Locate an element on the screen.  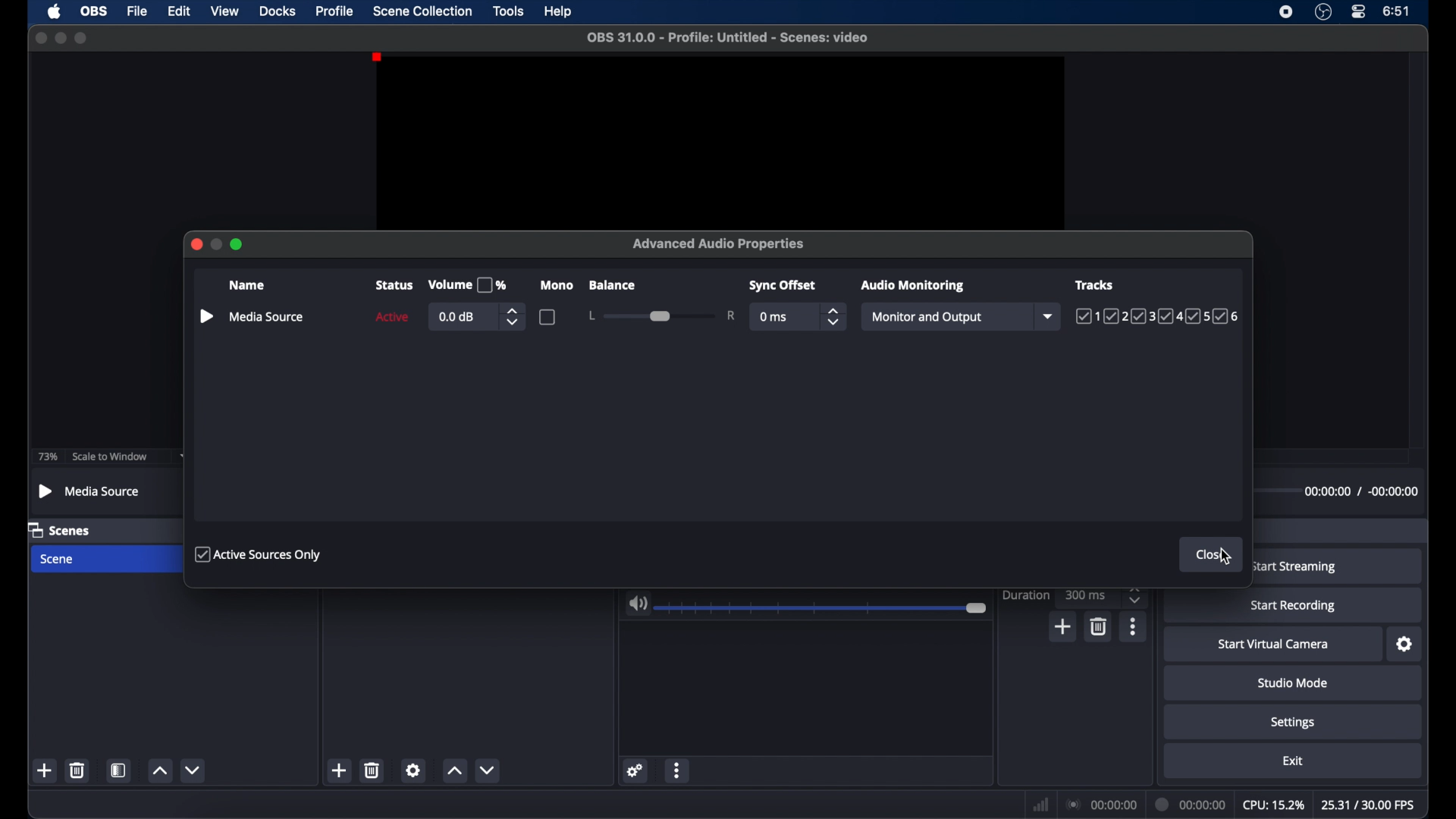
syncoffset is located at coordinates (782, 285).